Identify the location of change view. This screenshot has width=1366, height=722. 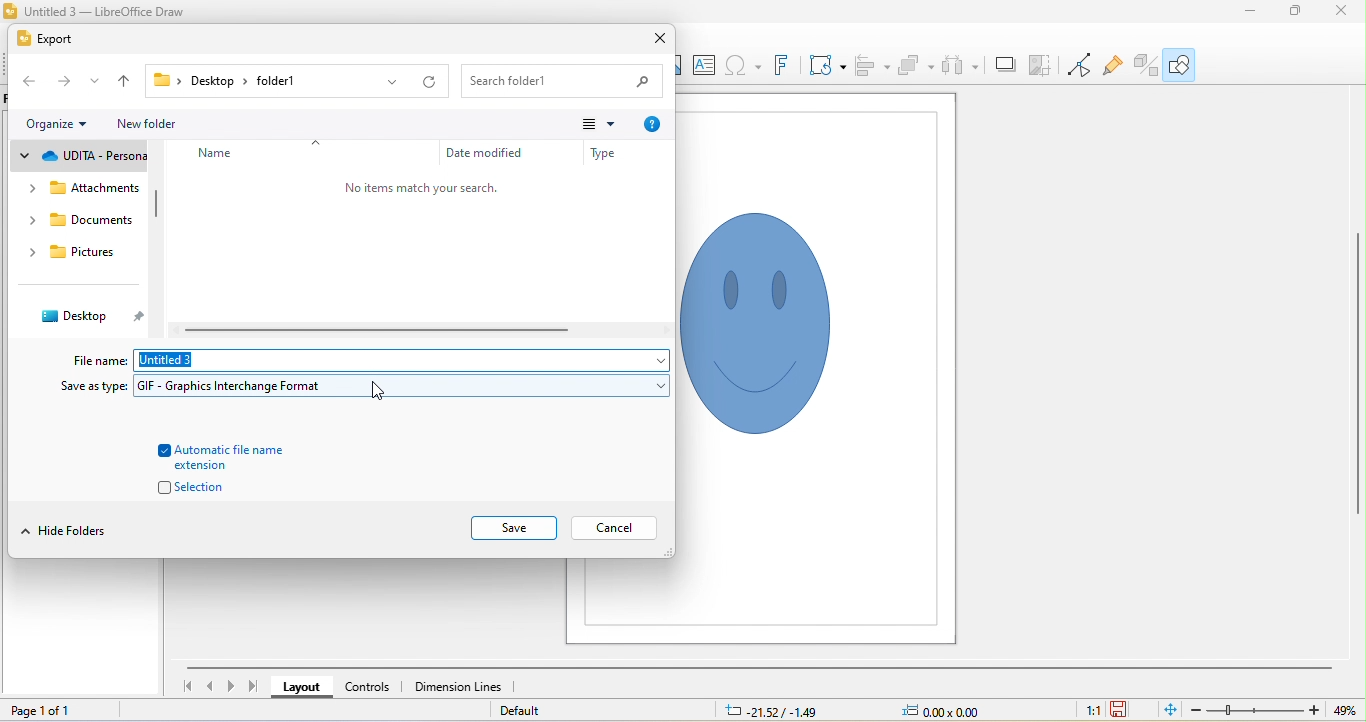
(601, 125).